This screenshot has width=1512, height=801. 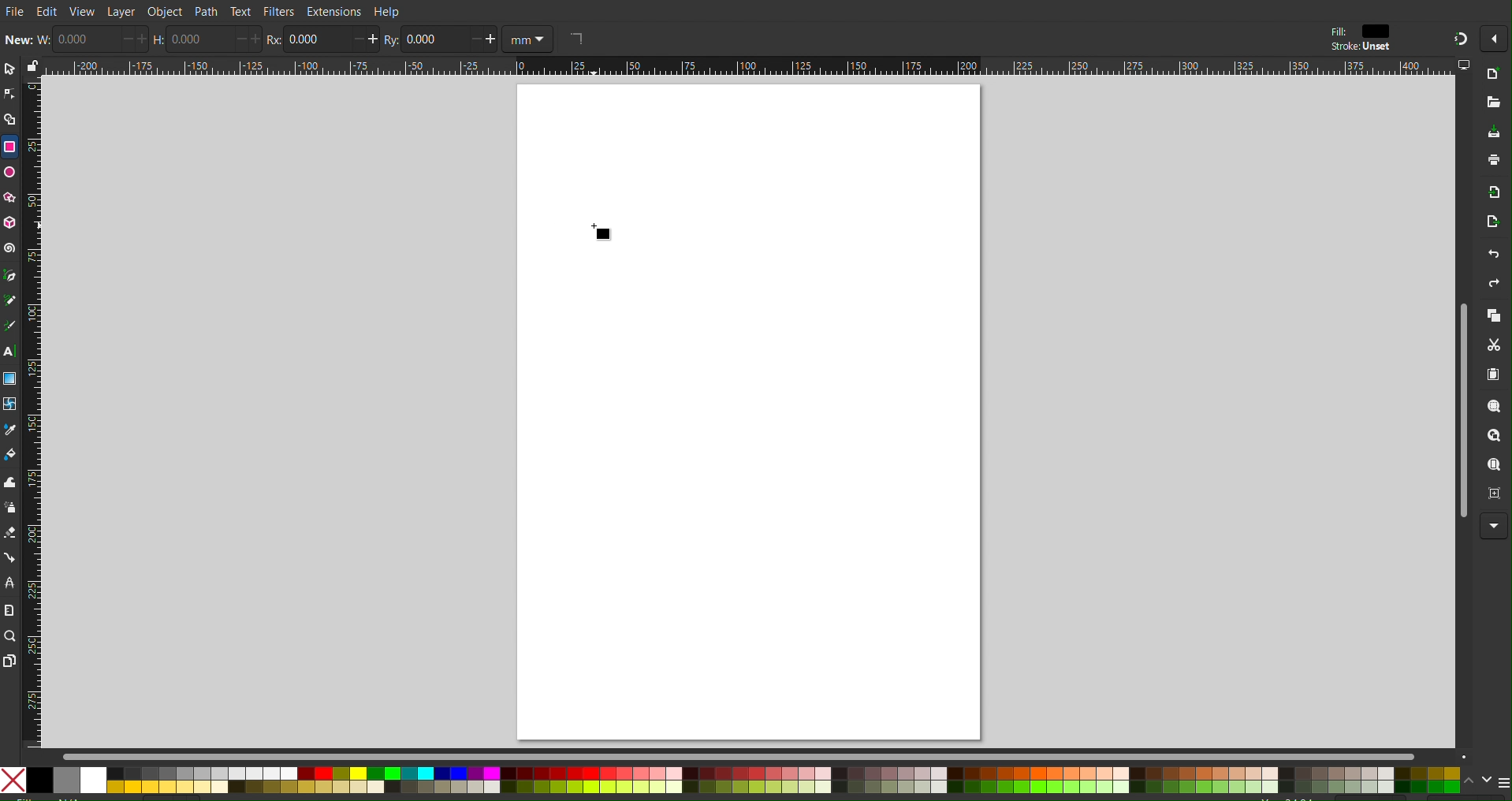 I want to click on LPE Tool, so click(x=9, y=583).